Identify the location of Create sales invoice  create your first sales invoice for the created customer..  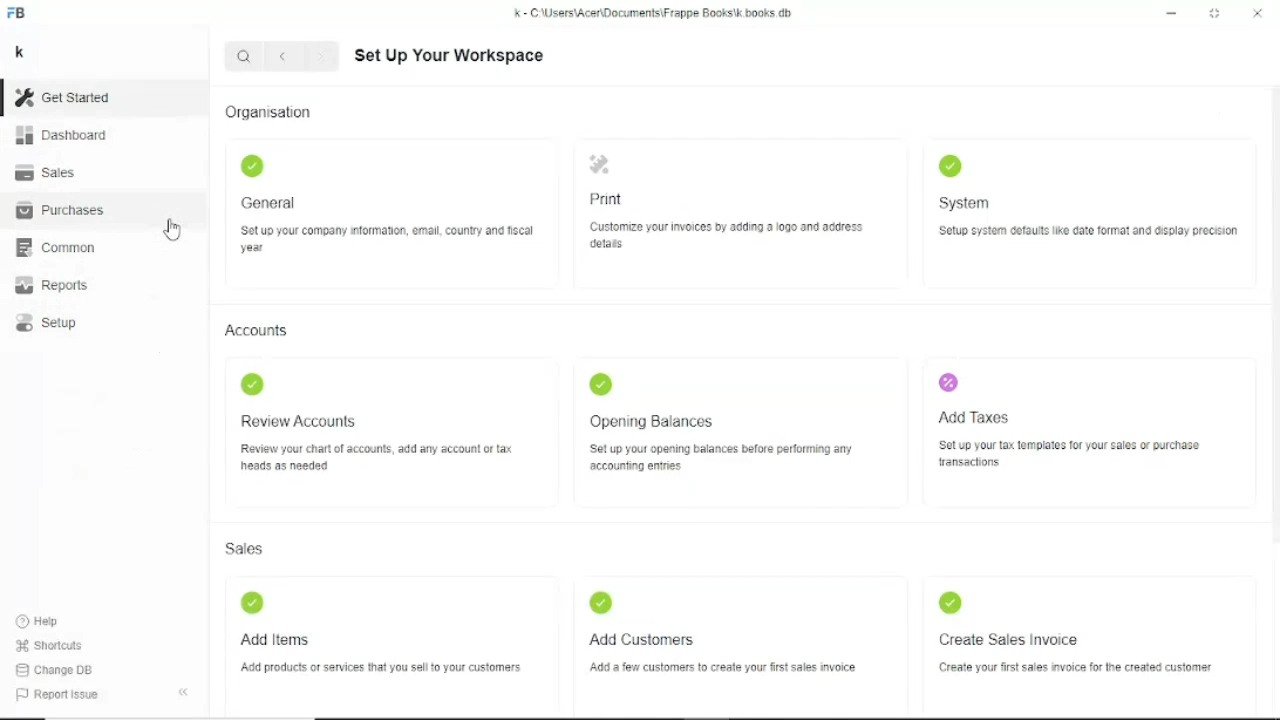
(1076, 637).